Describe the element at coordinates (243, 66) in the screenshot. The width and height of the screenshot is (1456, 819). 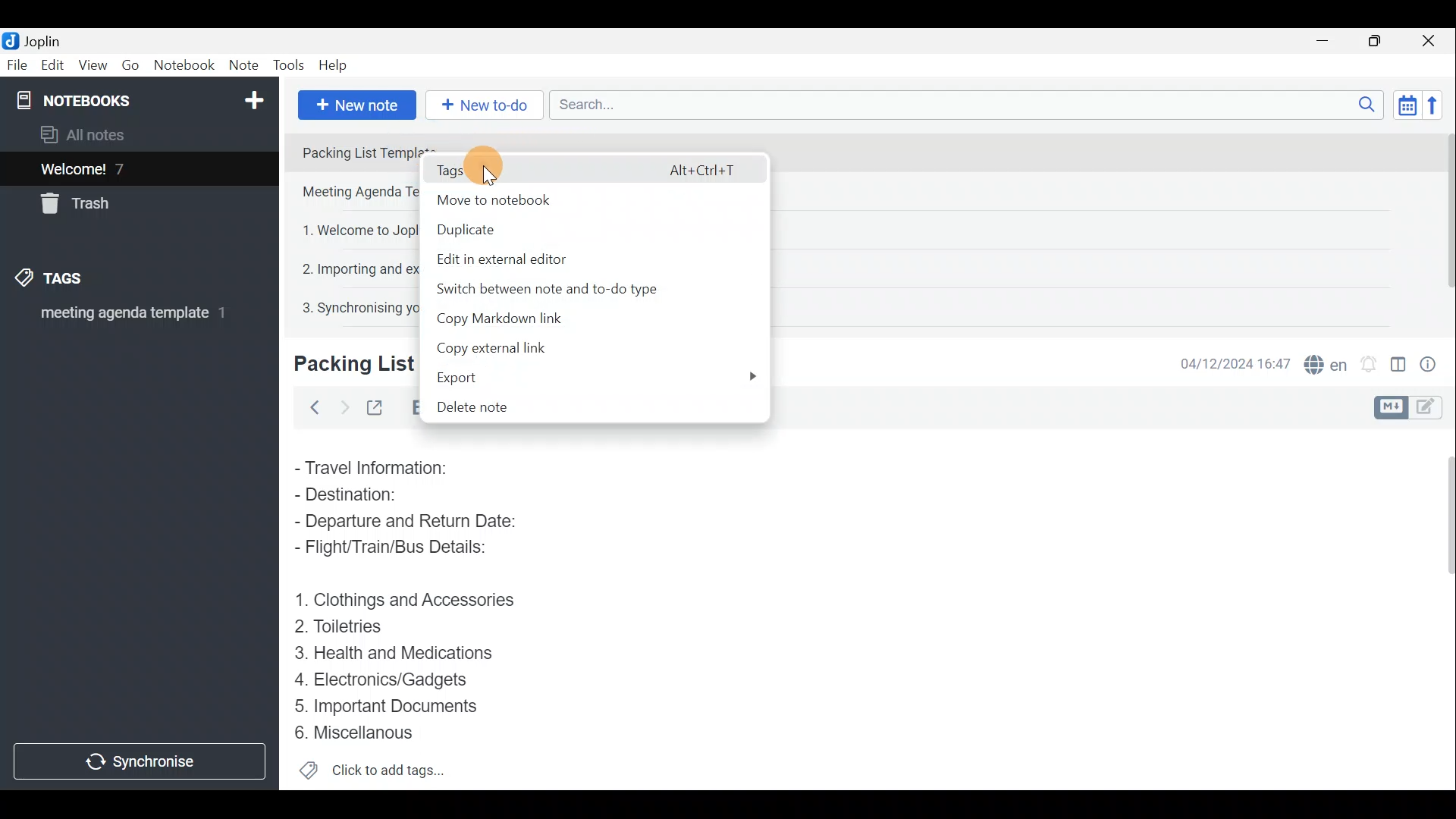
I see `Note` at that location.